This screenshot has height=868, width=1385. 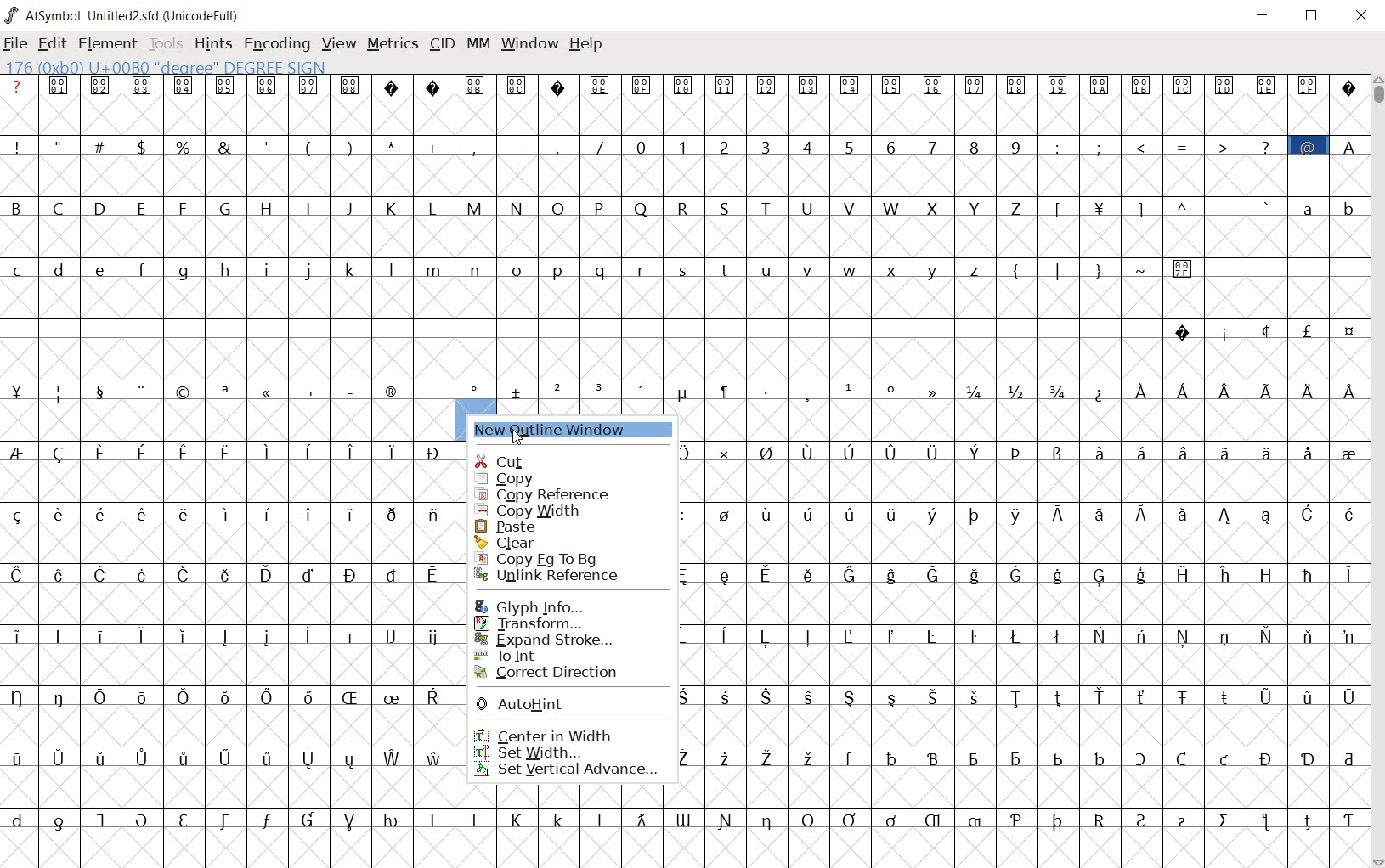 What do you see at coordinates (1025, 697) in the screenshot?
I see `special letters` at bounding box center [1025, 697].